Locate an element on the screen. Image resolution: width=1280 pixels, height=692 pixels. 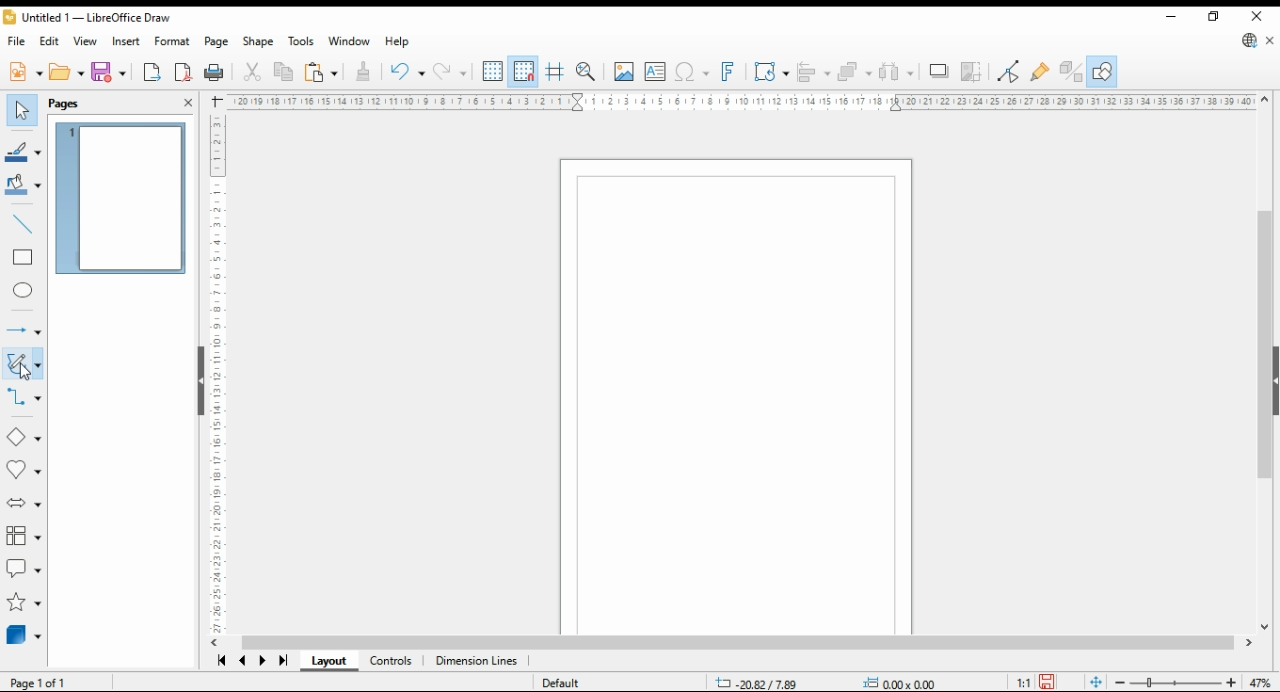
help is located at coordinates (397, 43).